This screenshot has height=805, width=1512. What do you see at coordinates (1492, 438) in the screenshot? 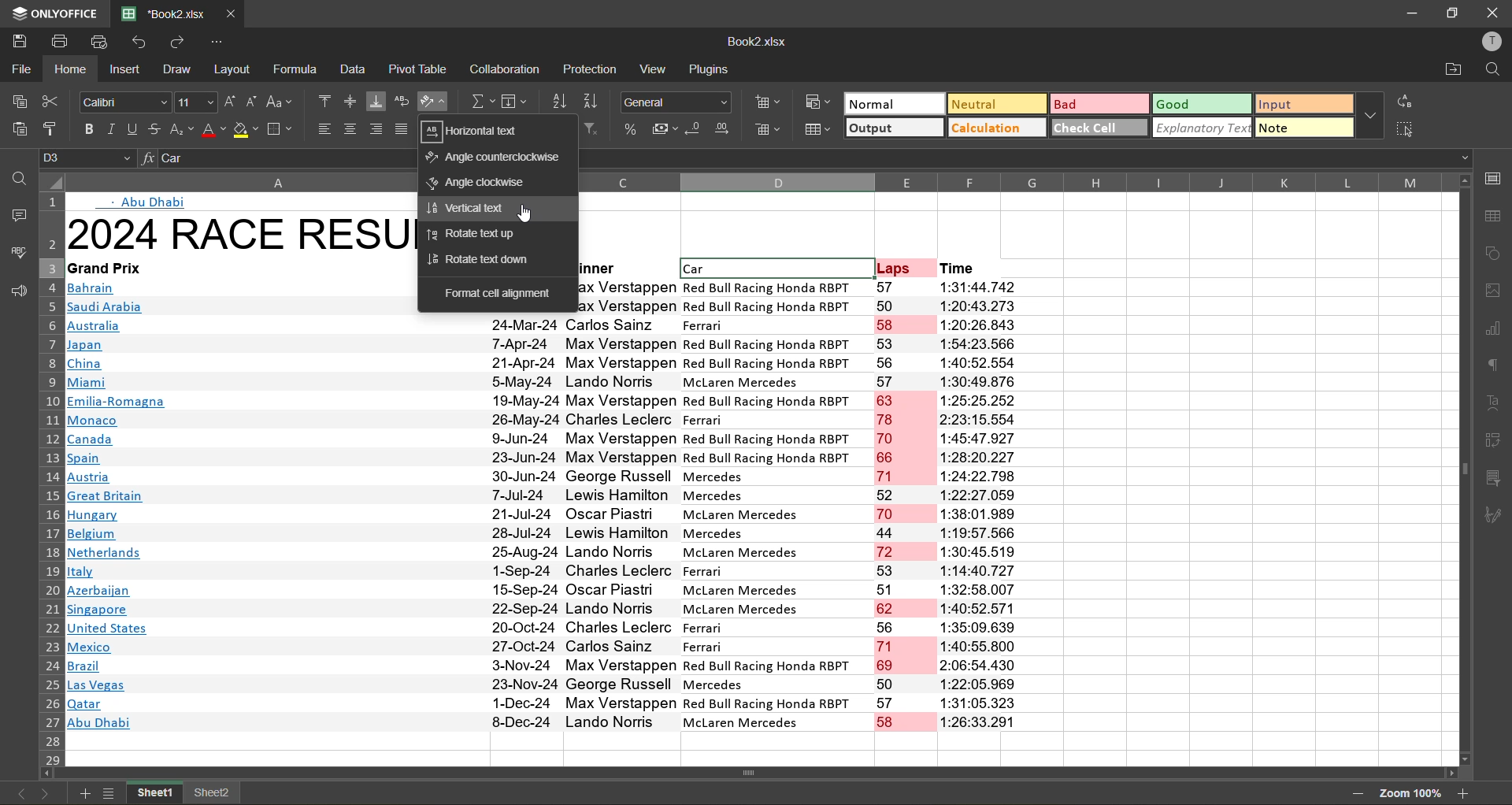
I see `pivot table` at bounding box center [1492, 438].